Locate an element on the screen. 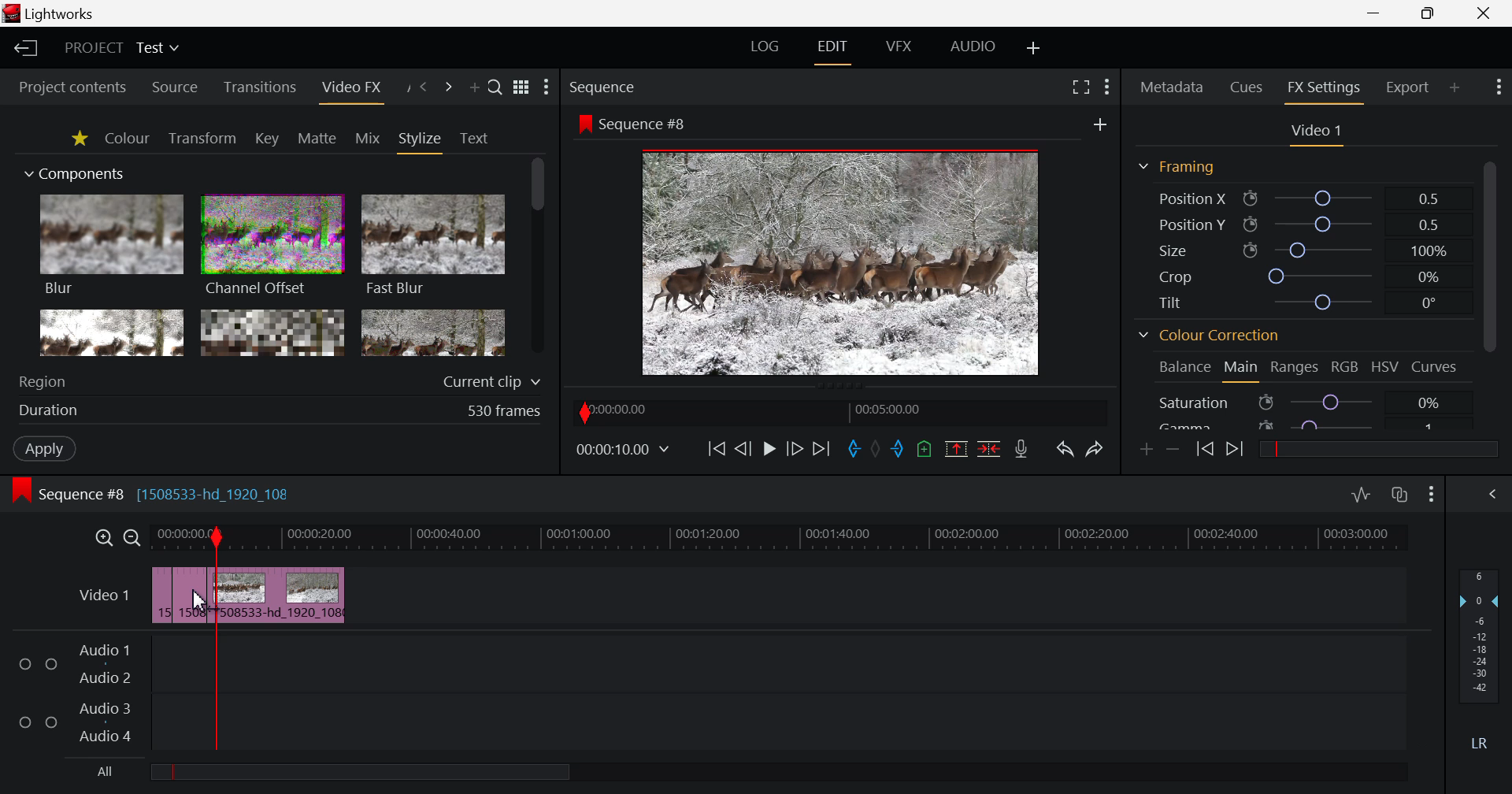 This screenshot has height=794, width=1512. Posterize is located at coordinates (433, 335).